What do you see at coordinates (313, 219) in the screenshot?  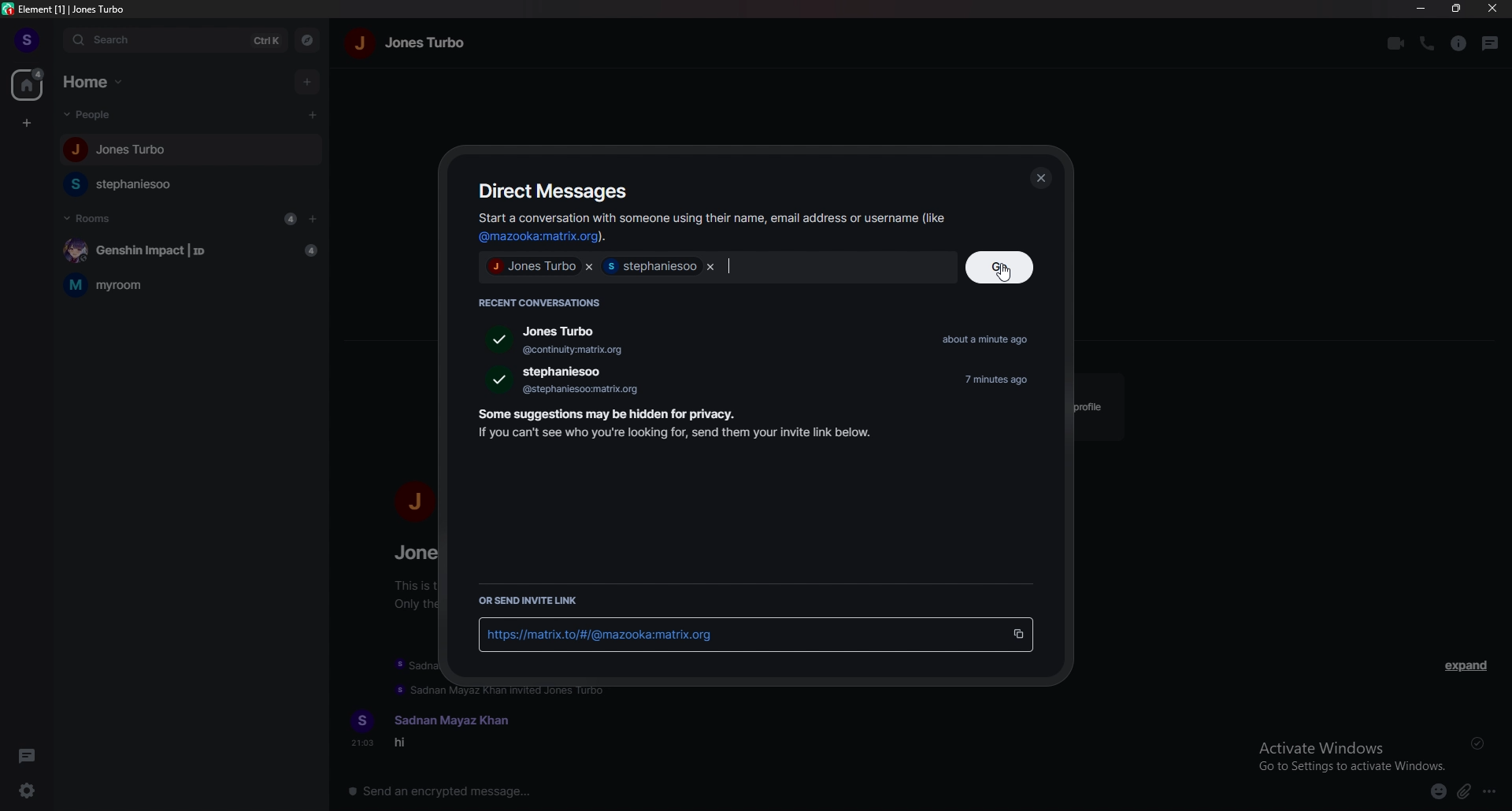 I see `add room` at bounding box center [313, 219].